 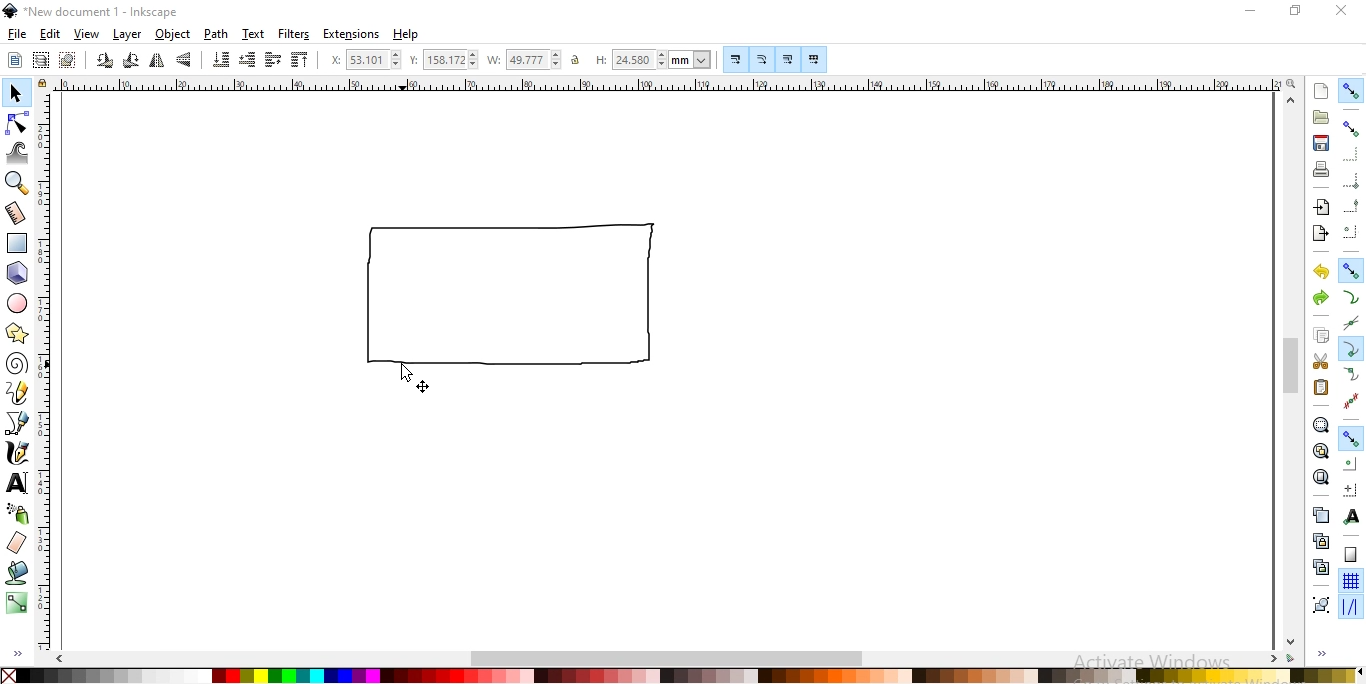 What do you see at coordinates (18, 124) in the screenshot?
I see `edit paths by nodes` at bounding box center [18, 124].